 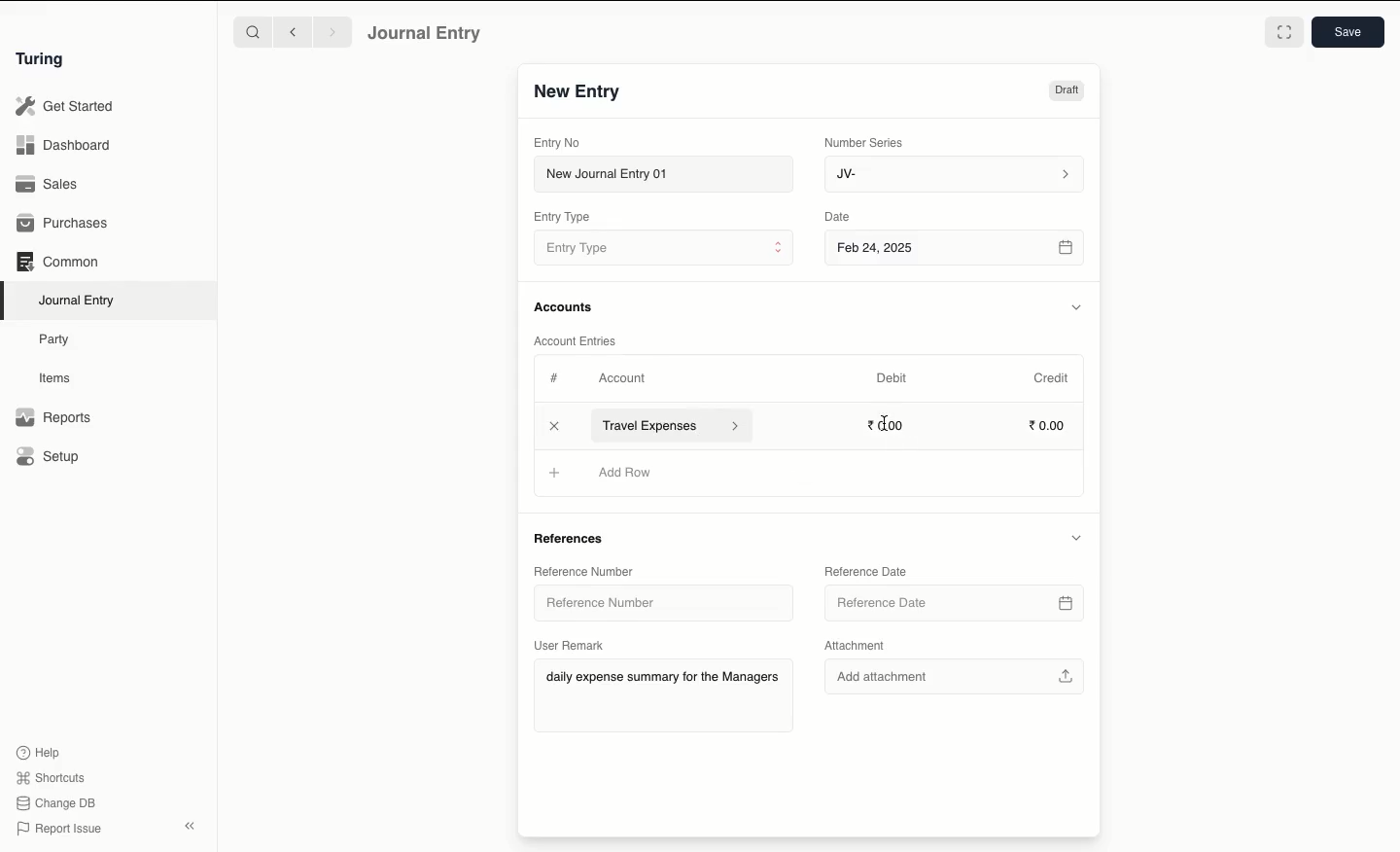 What do you see at coordinates (333, 31) in the screenshot?
I see `Forward` at bounding box center [333, 31].